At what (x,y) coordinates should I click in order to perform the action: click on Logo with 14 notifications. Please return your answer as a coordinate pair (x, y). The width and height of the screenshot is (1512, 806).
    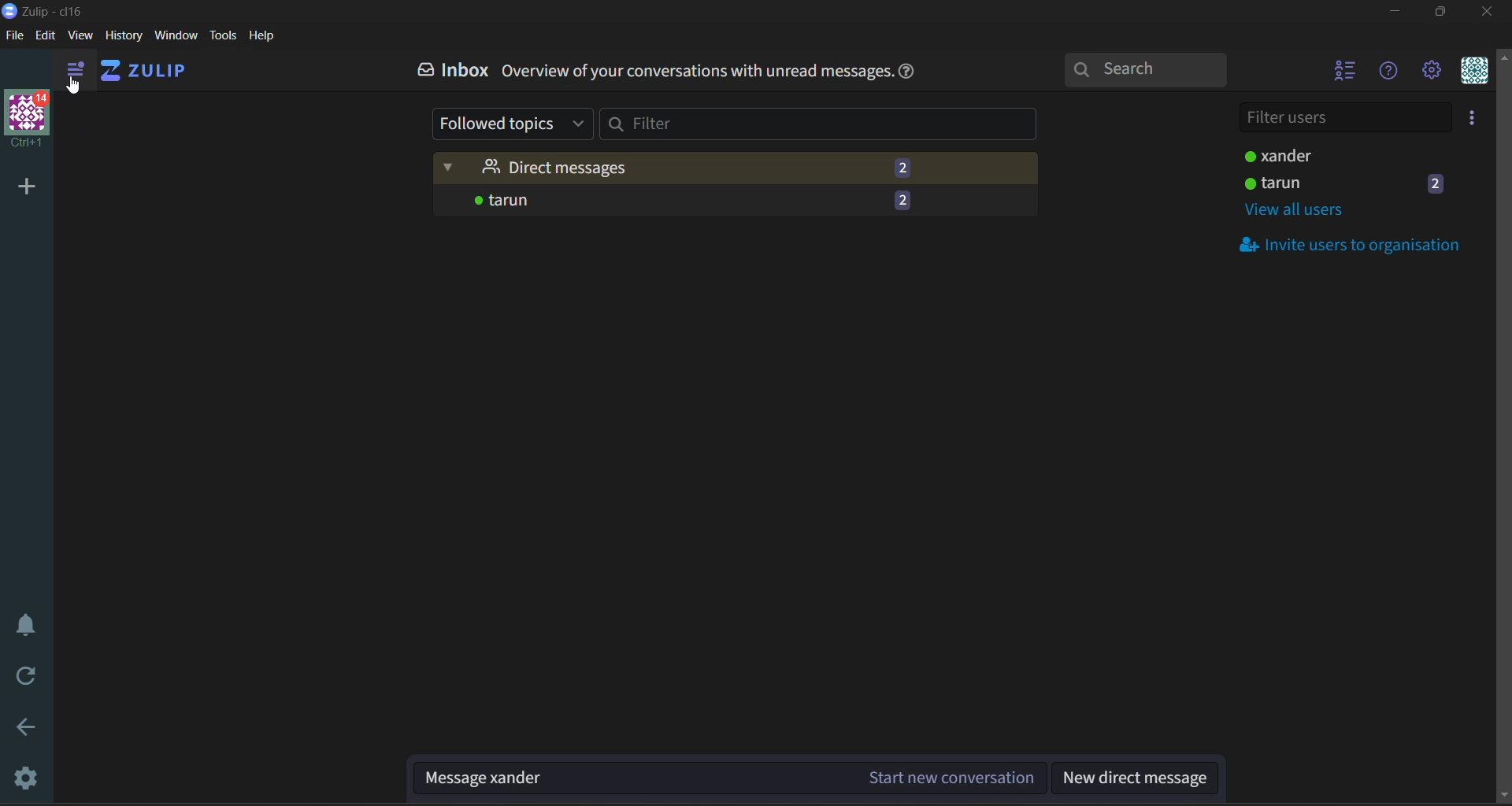
    Looking at the image, I should click on (25, 123).